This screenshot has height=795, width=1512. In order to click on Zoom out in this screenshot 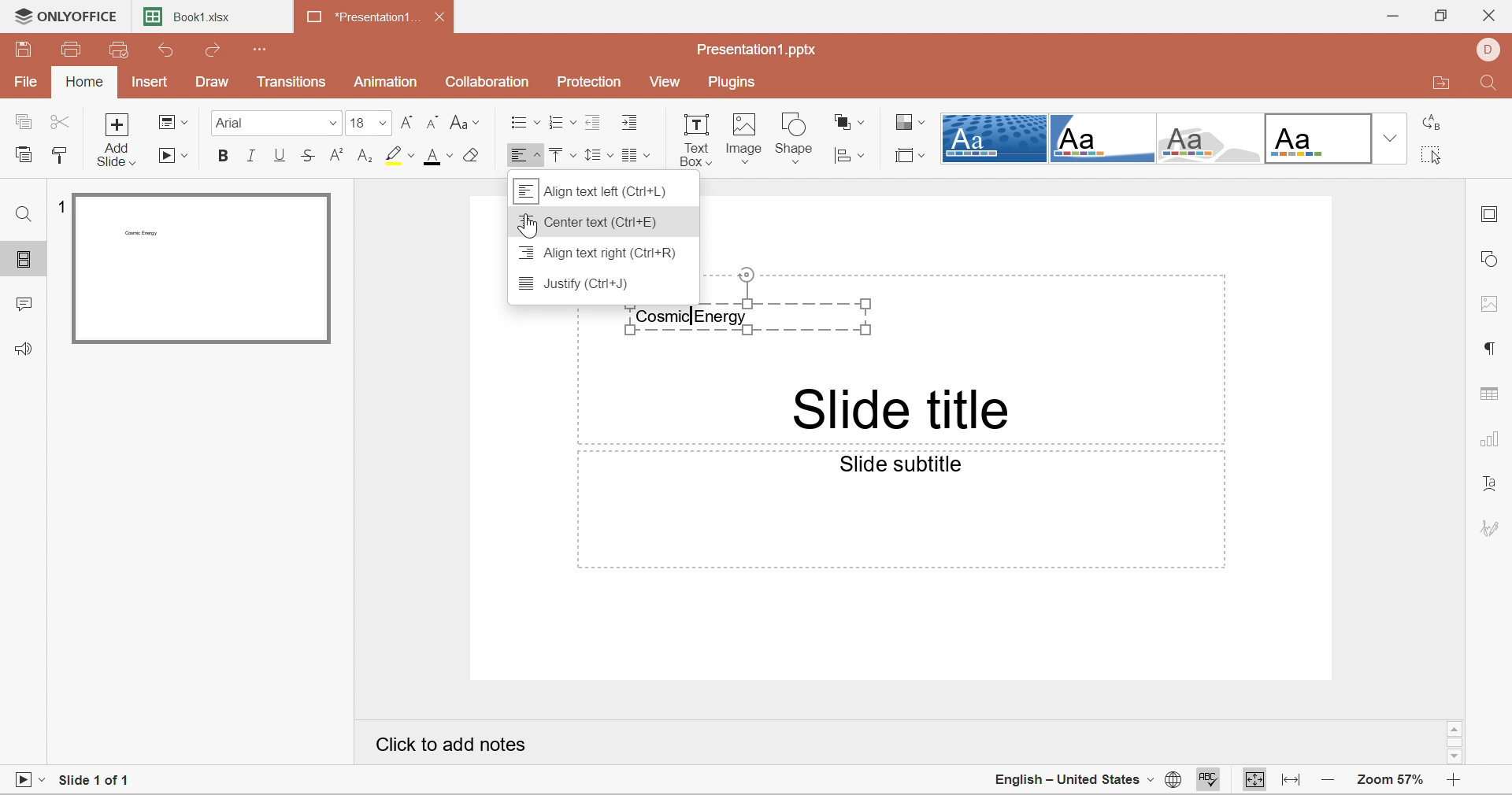, I will do `click(1326, 780)`.